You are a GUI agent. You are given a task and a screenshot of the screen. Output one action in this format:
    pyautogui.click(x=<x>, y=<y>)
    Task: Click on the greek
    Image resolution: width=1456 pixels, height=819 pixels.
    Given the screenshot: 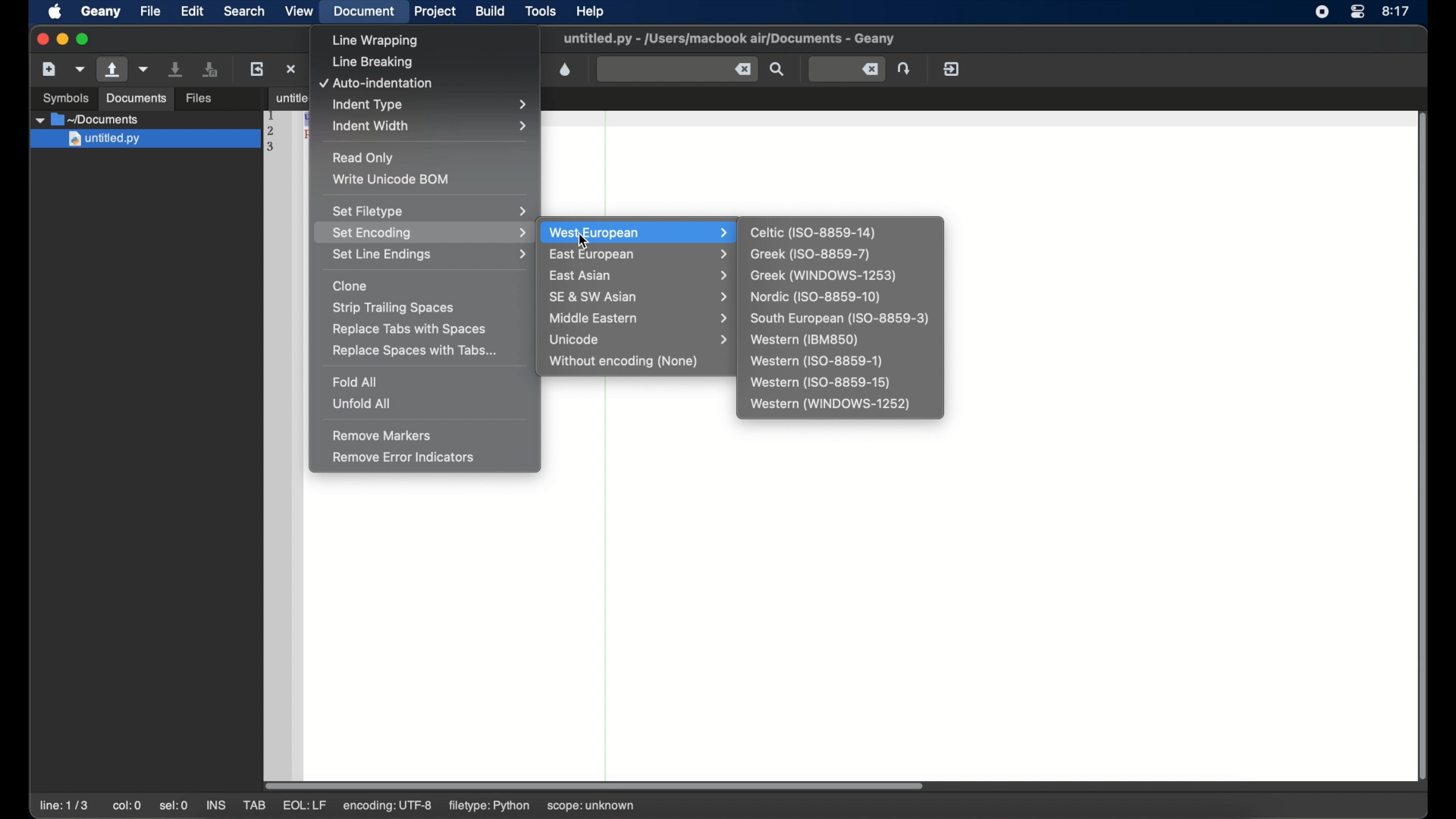 What is the action you would take?
    pyautogui.click(x=824, y=276)
    